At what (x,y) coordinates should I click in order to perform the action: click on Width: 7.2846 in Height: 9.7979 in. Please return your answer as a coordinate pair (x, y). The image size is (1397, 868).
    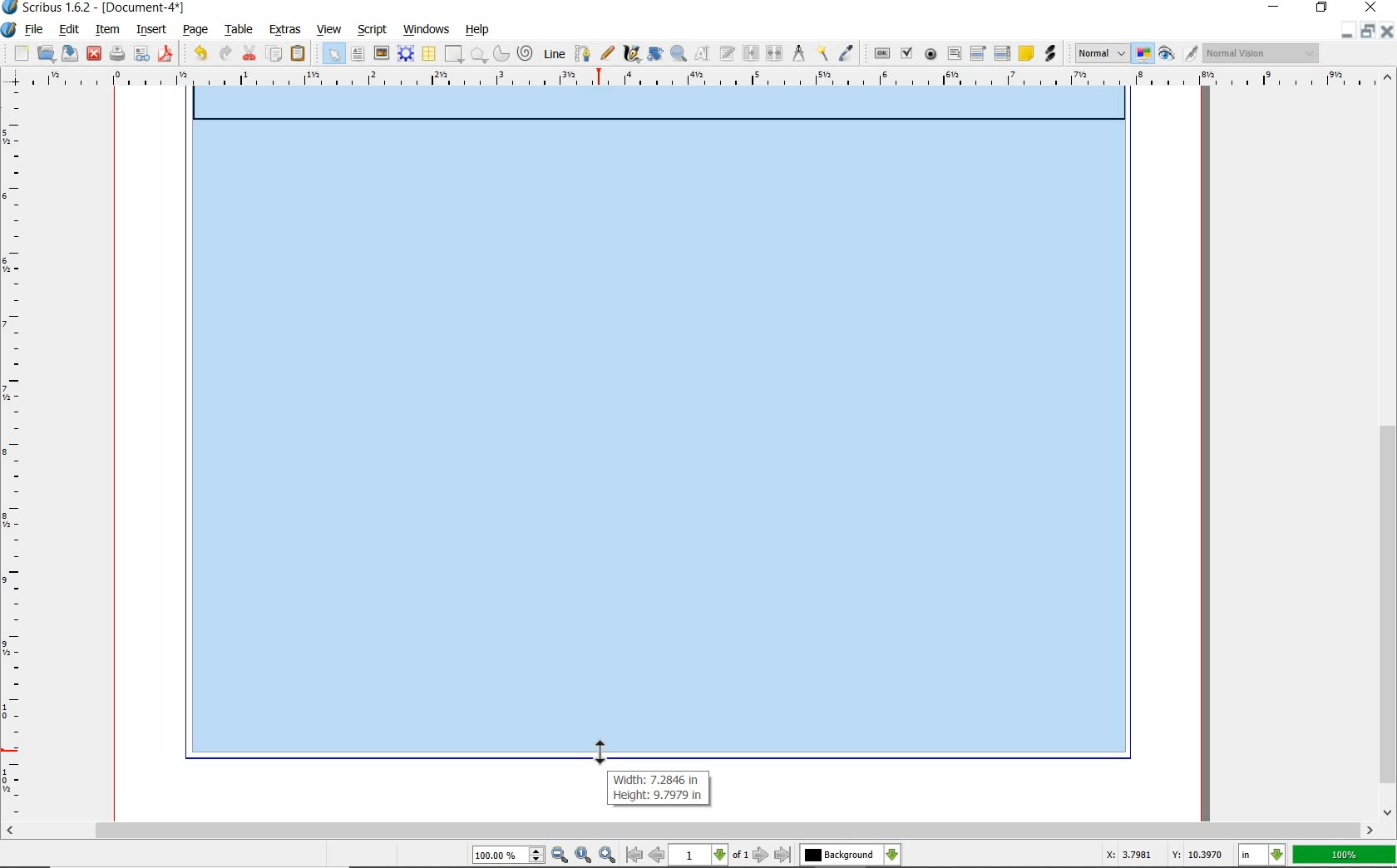
    Looking at the image, I should click on (656, 788).